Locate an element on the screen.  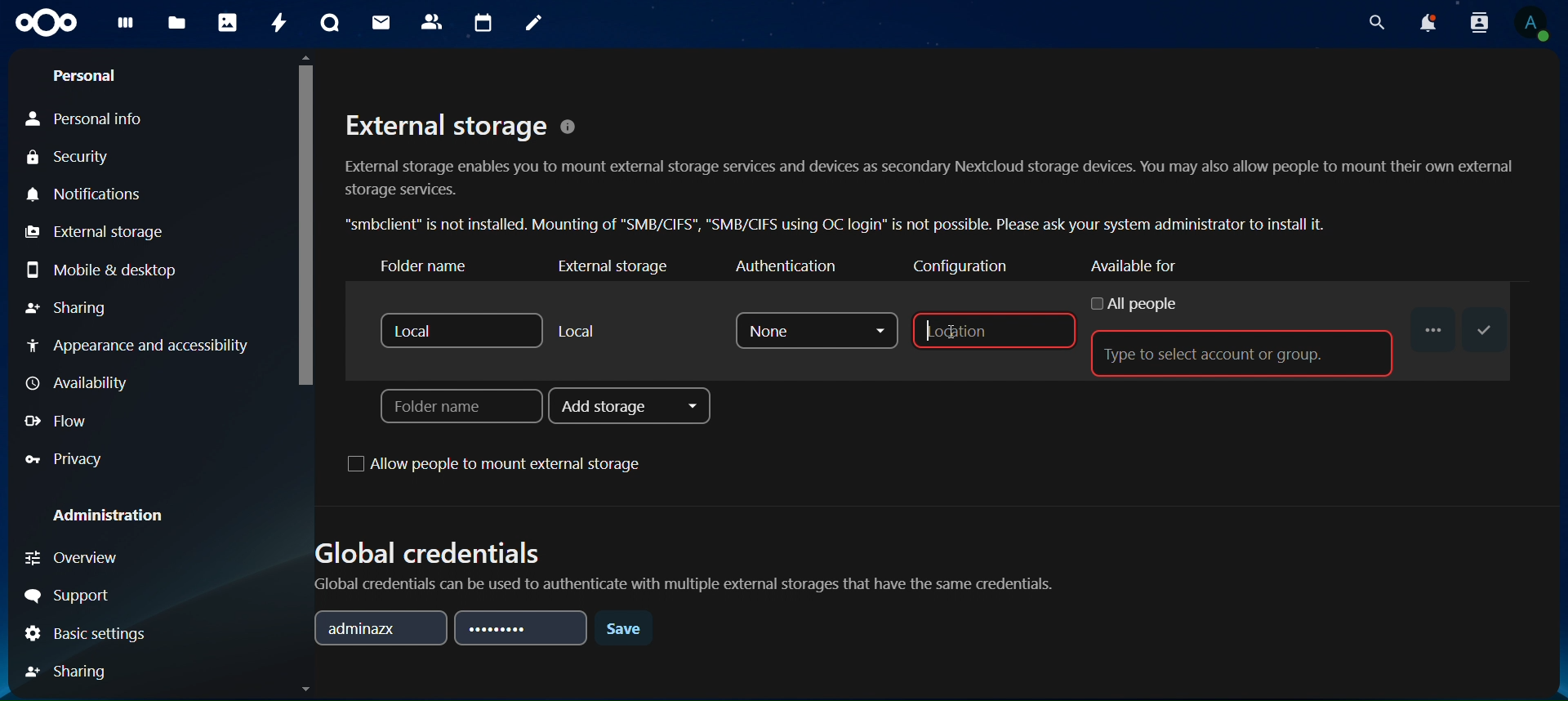
password is located at coordinates (523, 628).